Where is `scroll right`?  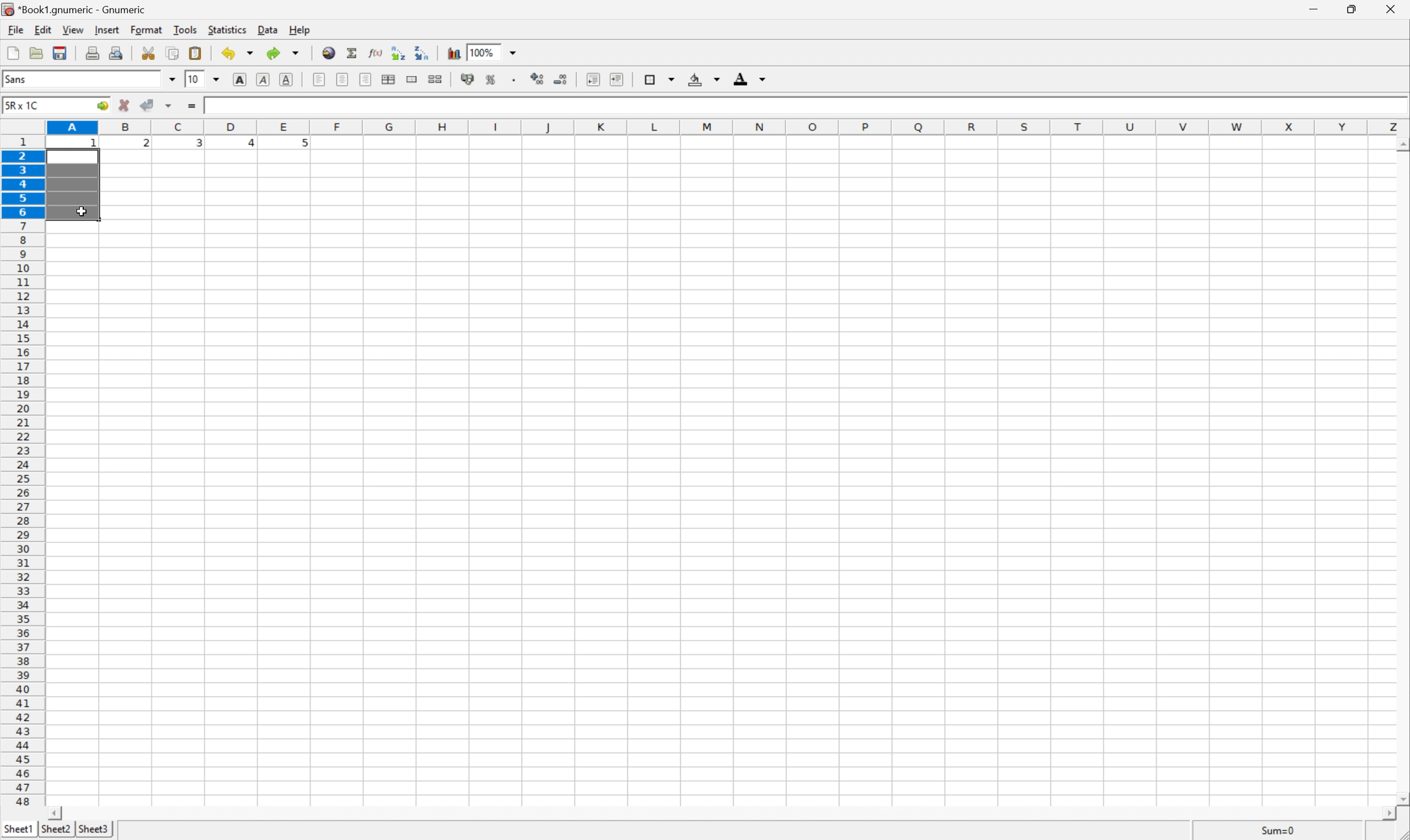 scroll right is located at coordinates (1390, 815).